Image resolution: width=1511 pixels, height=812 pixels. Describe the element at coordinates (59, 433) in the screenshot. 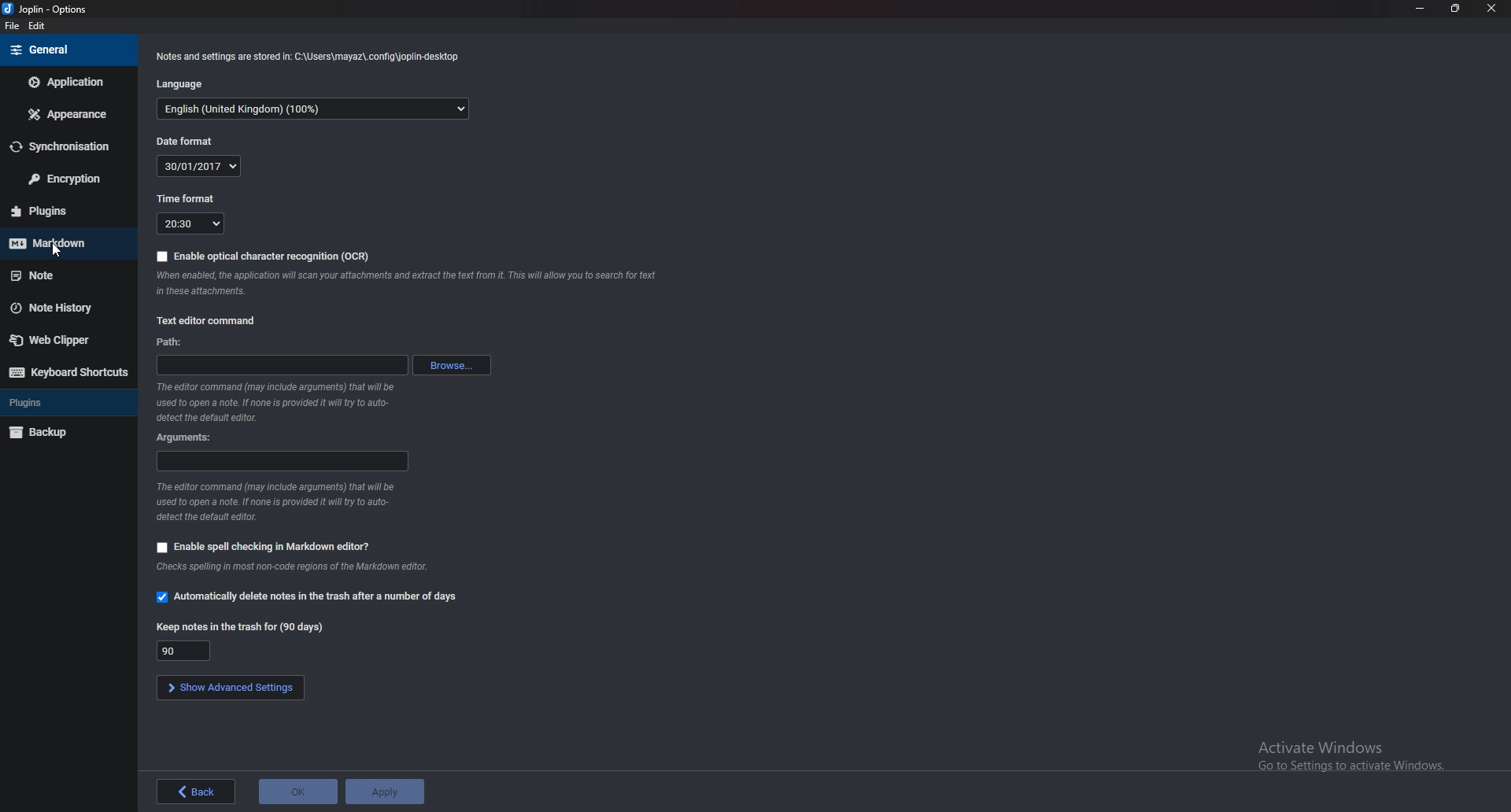

I see `backup` at that location.